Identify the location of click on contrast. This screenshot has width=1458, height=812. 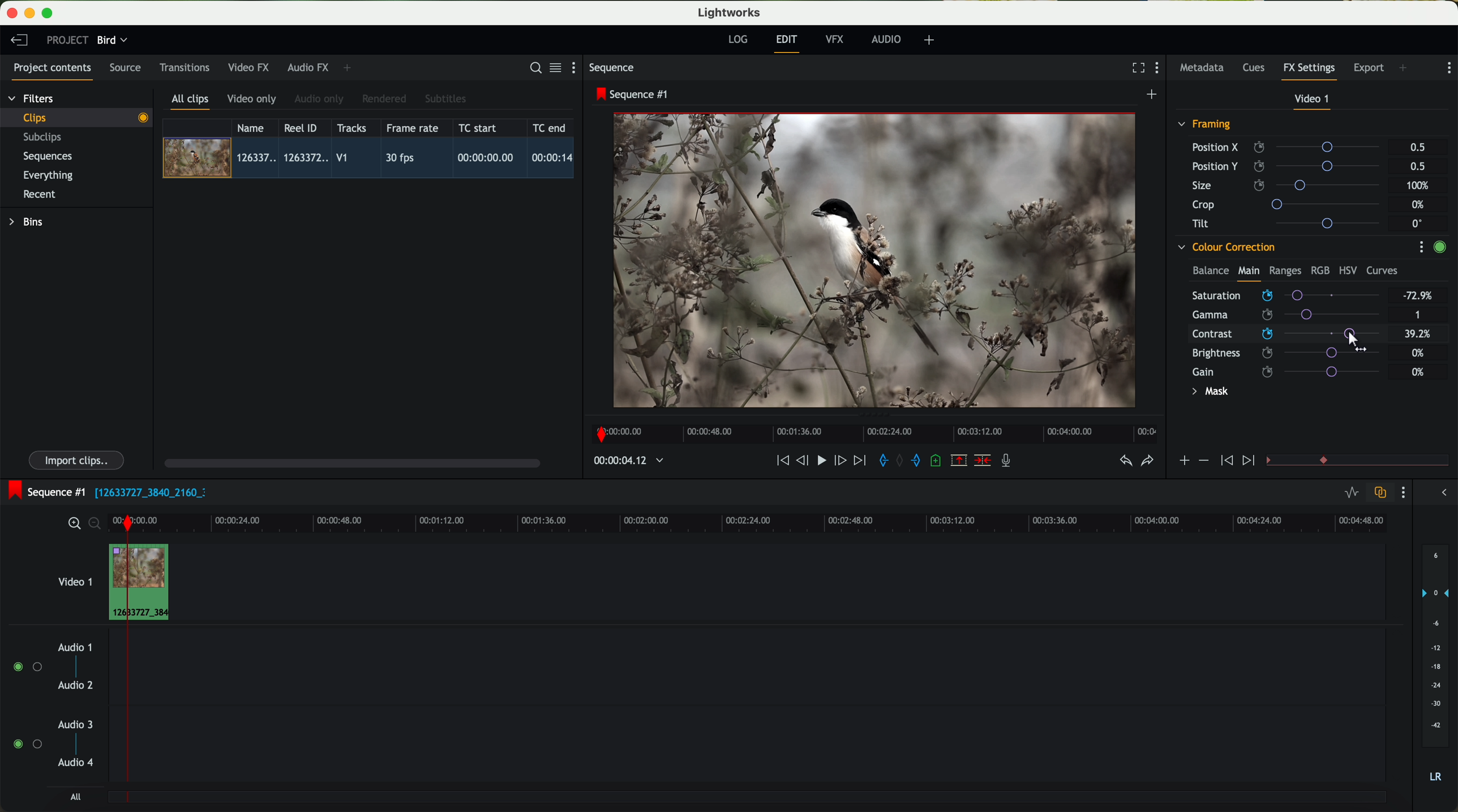
(1286, 335).